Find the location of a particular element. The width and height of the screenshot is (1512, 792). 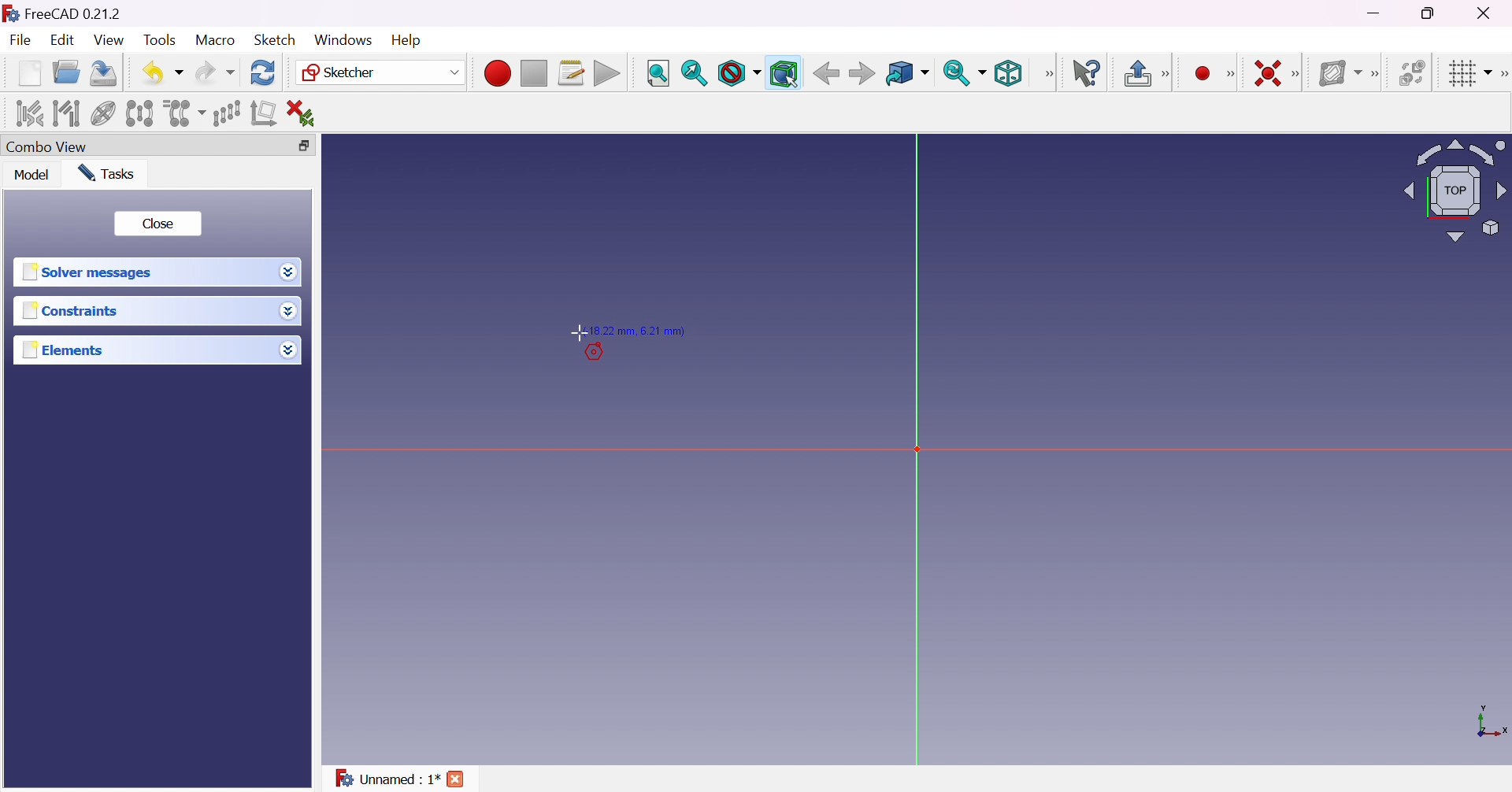

Fit all is located at coordinates (659, 74).